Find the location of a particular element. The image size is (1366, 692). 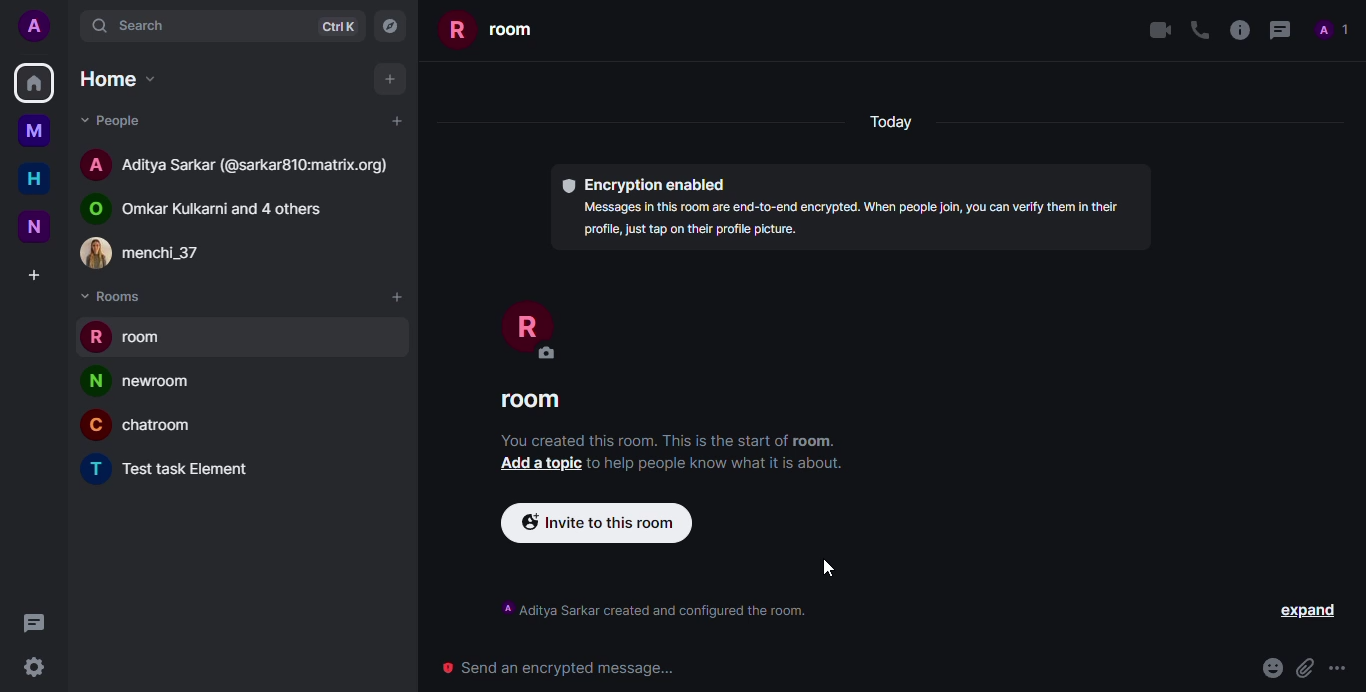

invite to this room is located at coordinates (595, 524).